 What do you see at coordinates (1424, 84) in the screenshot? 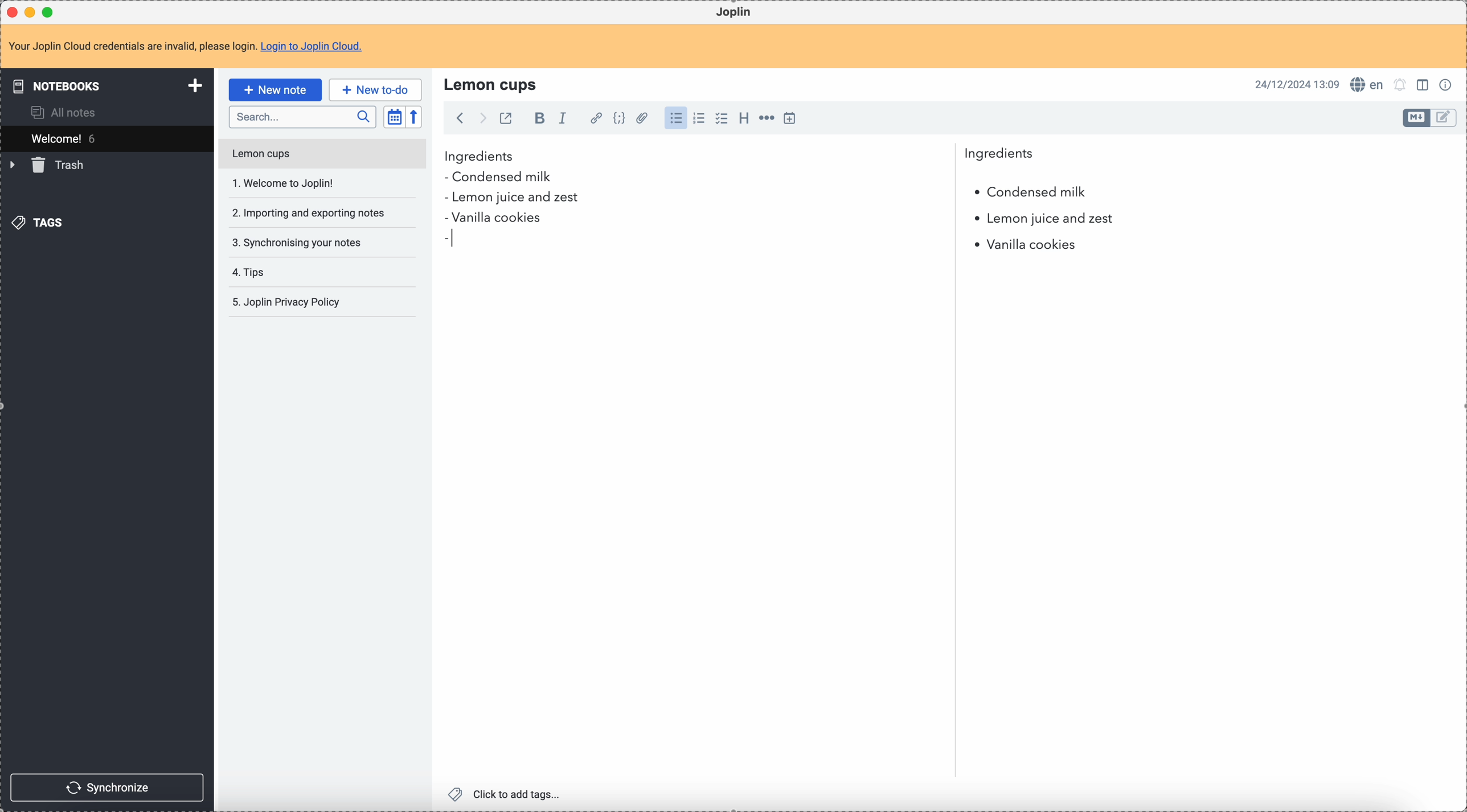
I see `toggle edit layout` at bounding box center [1424, 84].